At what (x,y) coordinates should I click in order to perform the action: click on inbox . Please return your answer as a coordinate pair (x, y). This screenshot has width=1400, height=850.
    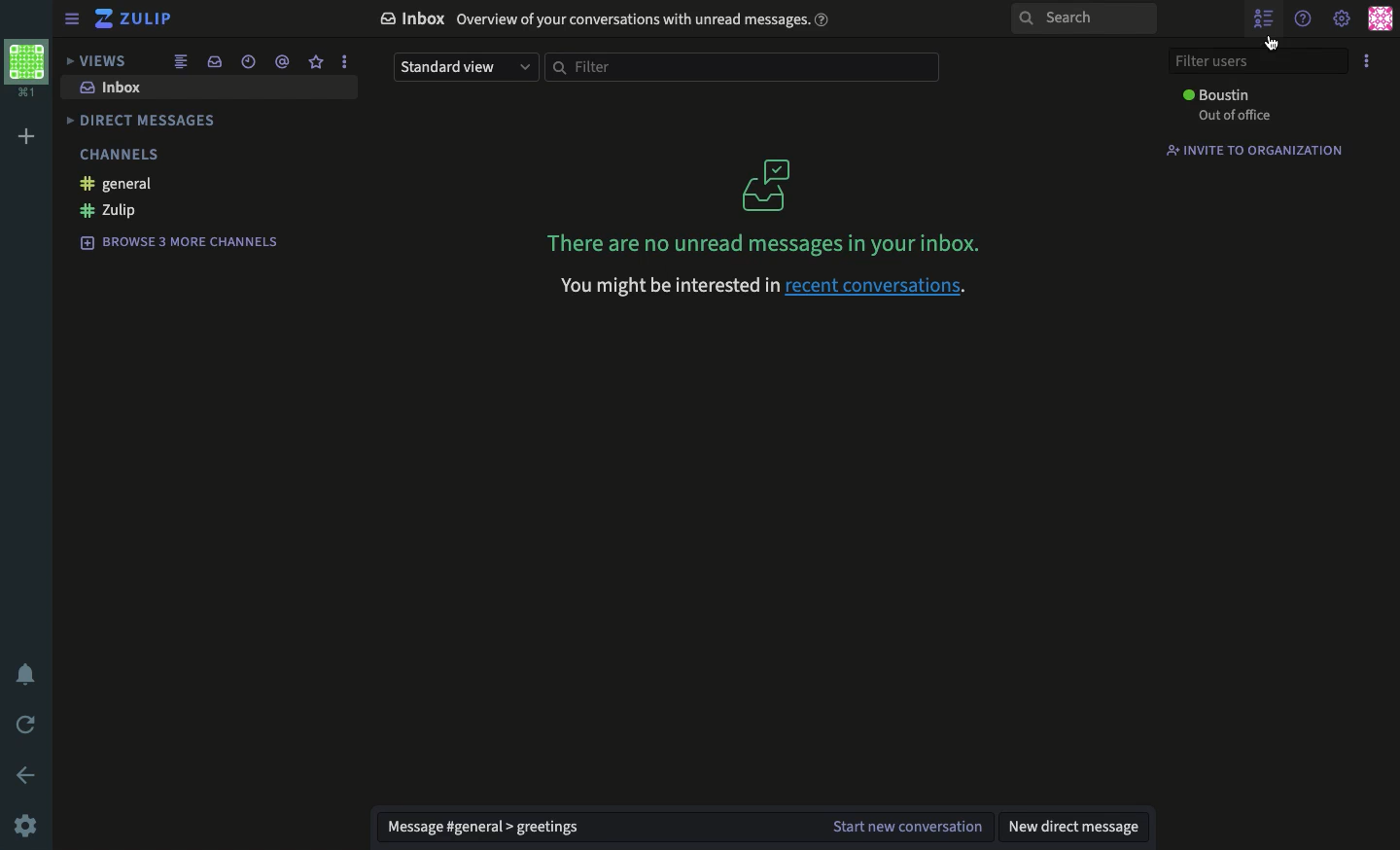
    Looking at the image, I should click on (108, 89).